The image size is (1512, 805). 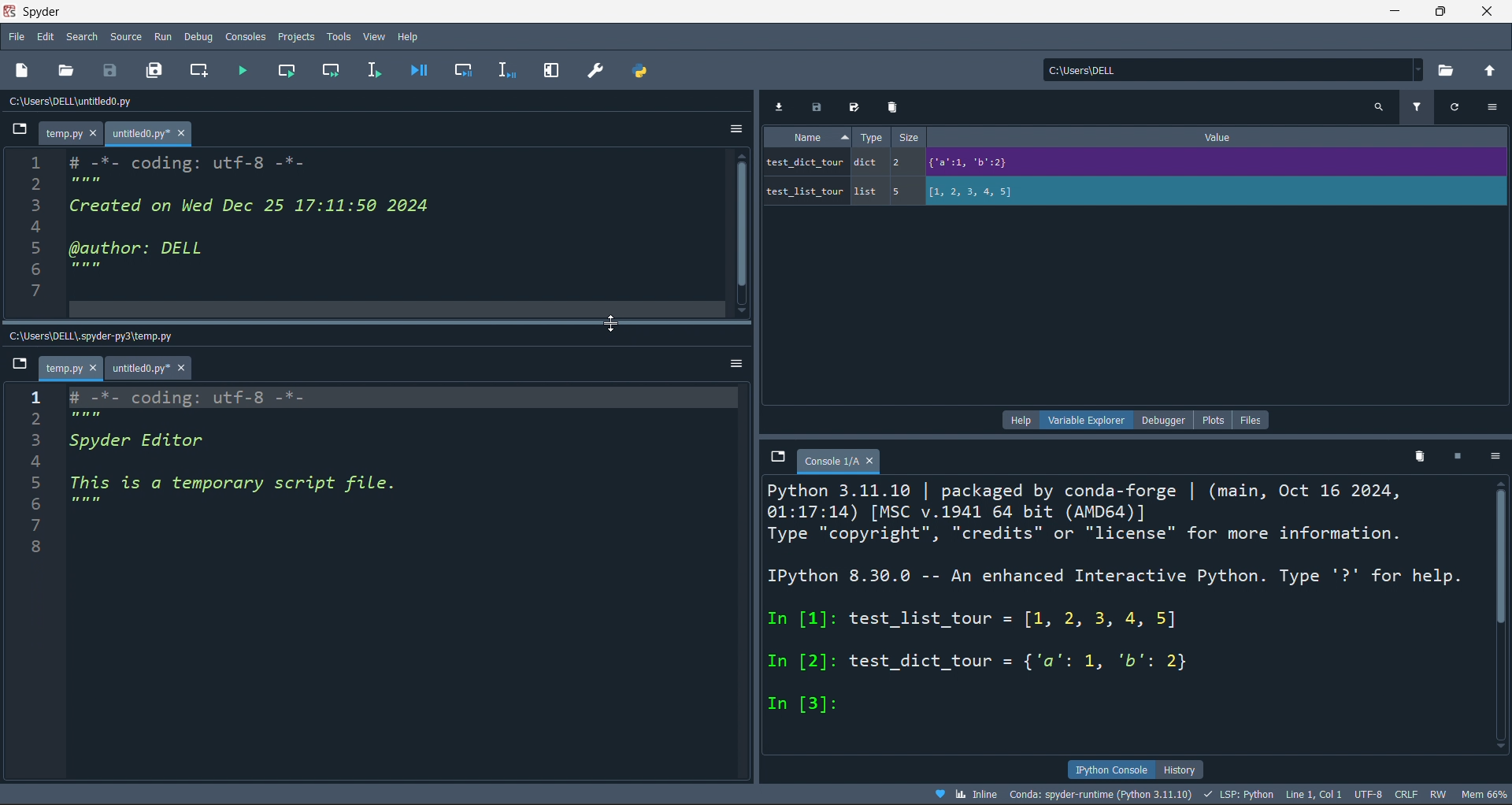 I want to click on Line 1, Col 1  UTF-8, so click(x=1336, y=794).